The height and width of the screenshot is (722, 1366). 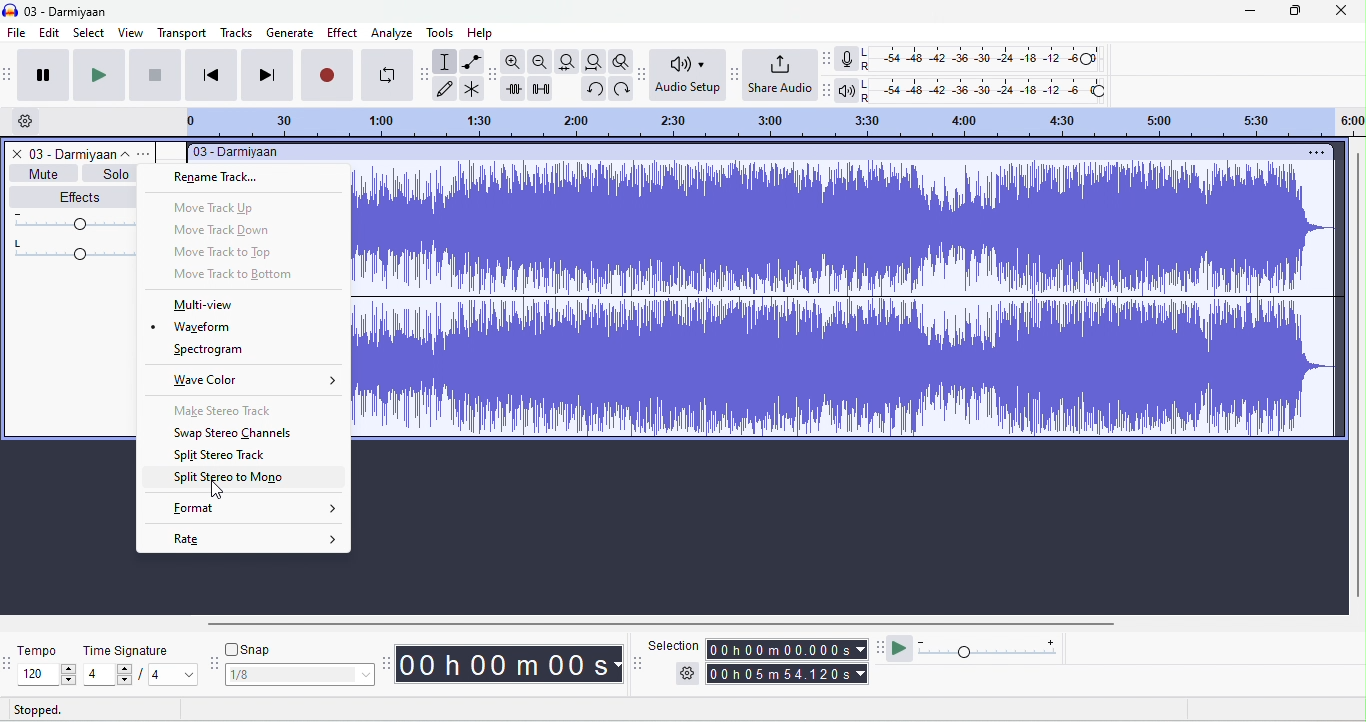 I want to click on file, so click(x=17, y=34).